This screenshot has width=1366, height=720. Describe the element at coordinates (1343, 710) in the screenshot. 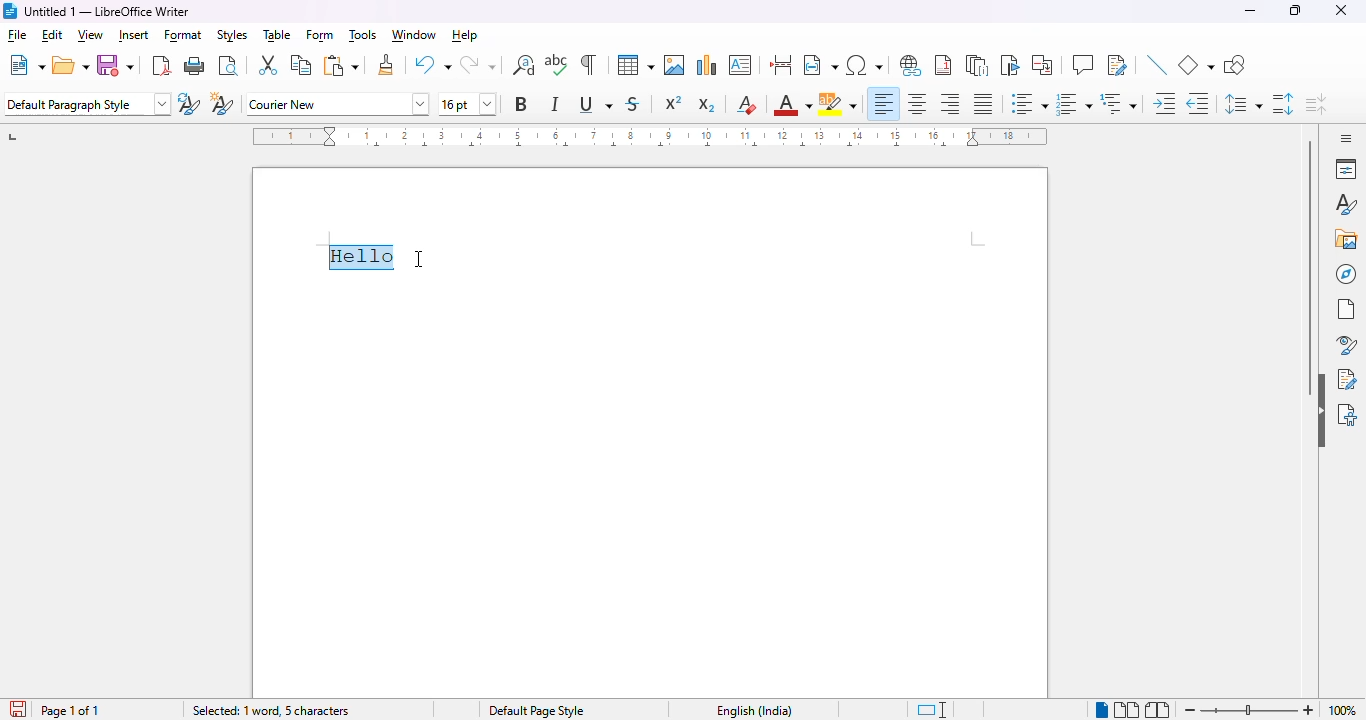

I see `zoom factor` at that location.